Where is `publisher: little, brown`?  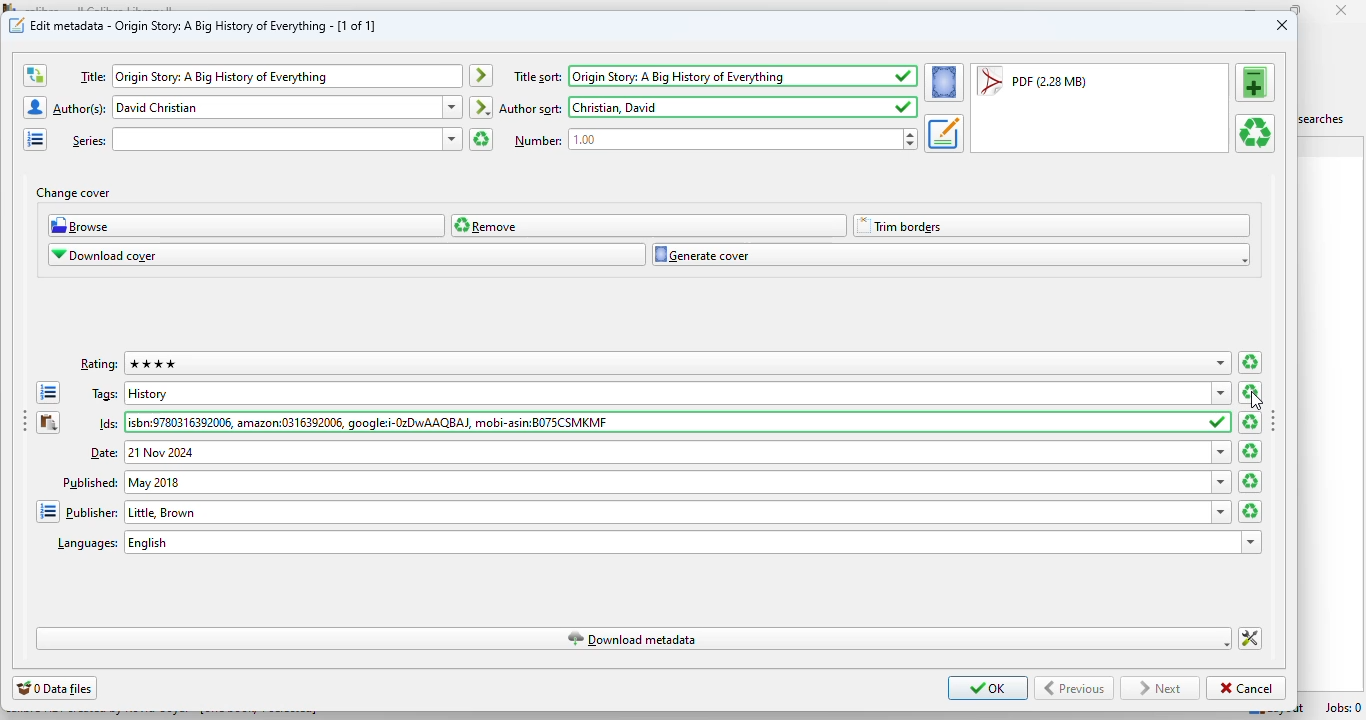
publisher: little, brown is located at coordinates (667, 511).